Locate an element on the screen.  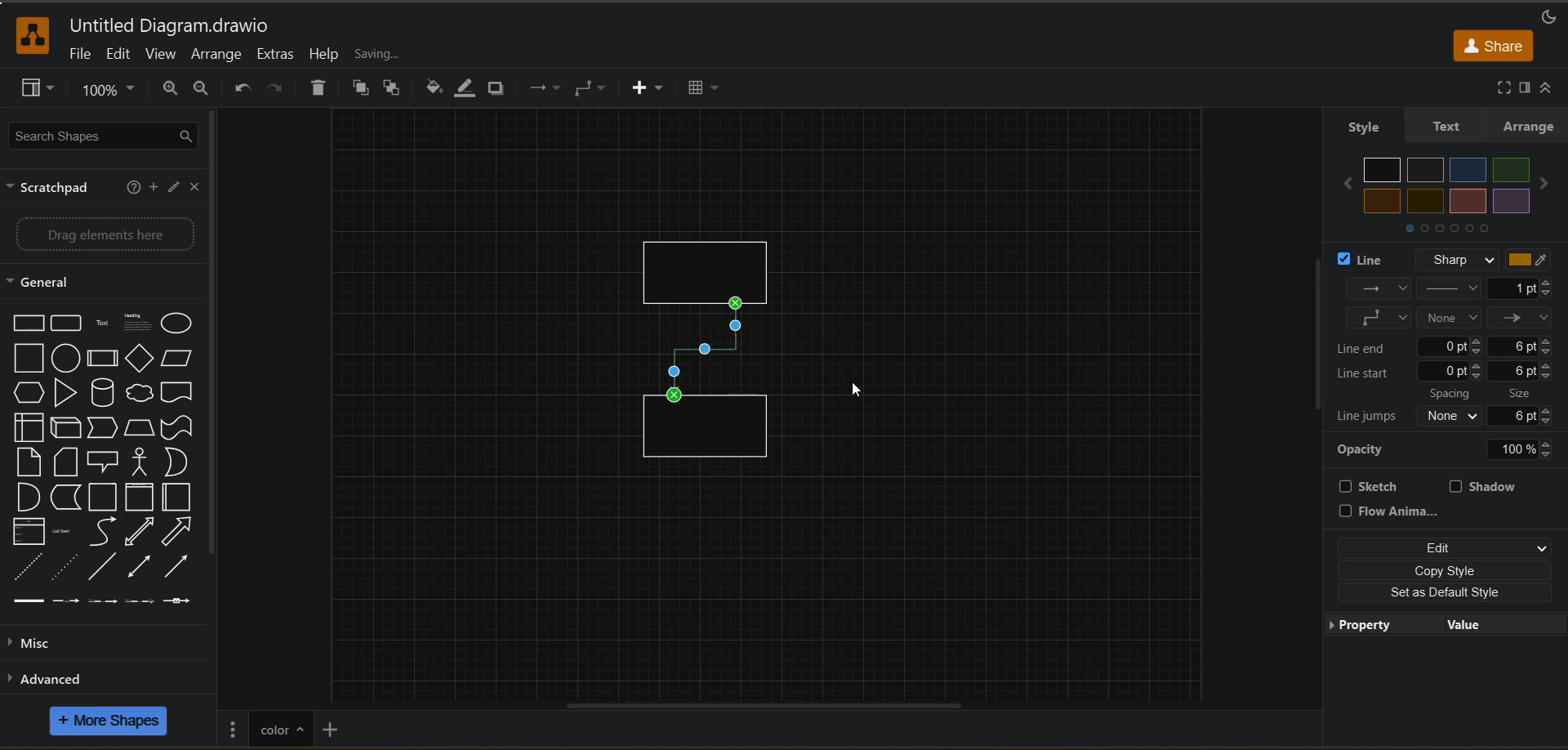
copy style is located at coordinates (1445, 571).